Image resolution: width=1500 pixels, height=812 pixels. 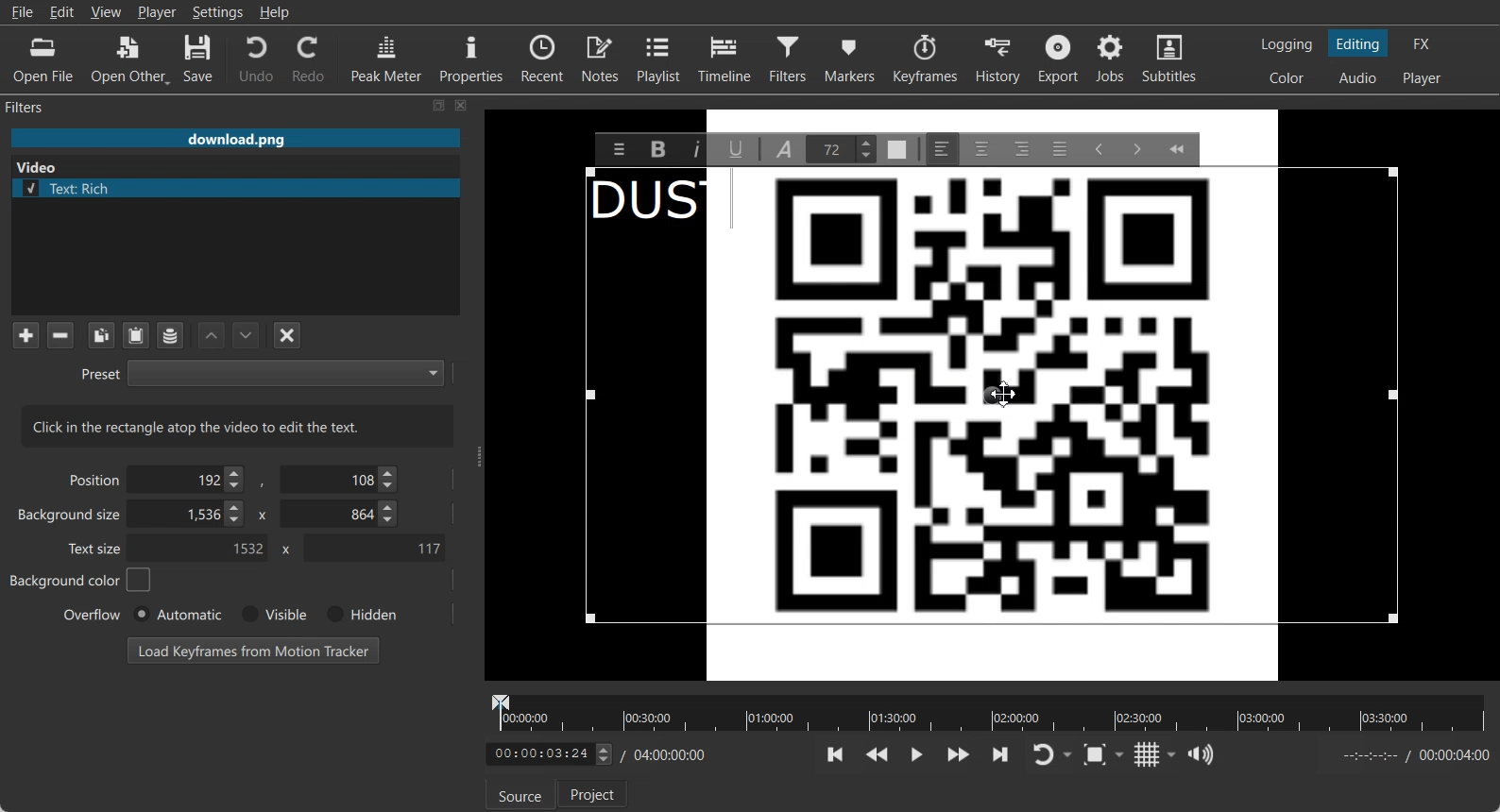 What do you see at coordinates (602, 58) in the screenshot?
I see `Notes` at bounding box center [602, 58].